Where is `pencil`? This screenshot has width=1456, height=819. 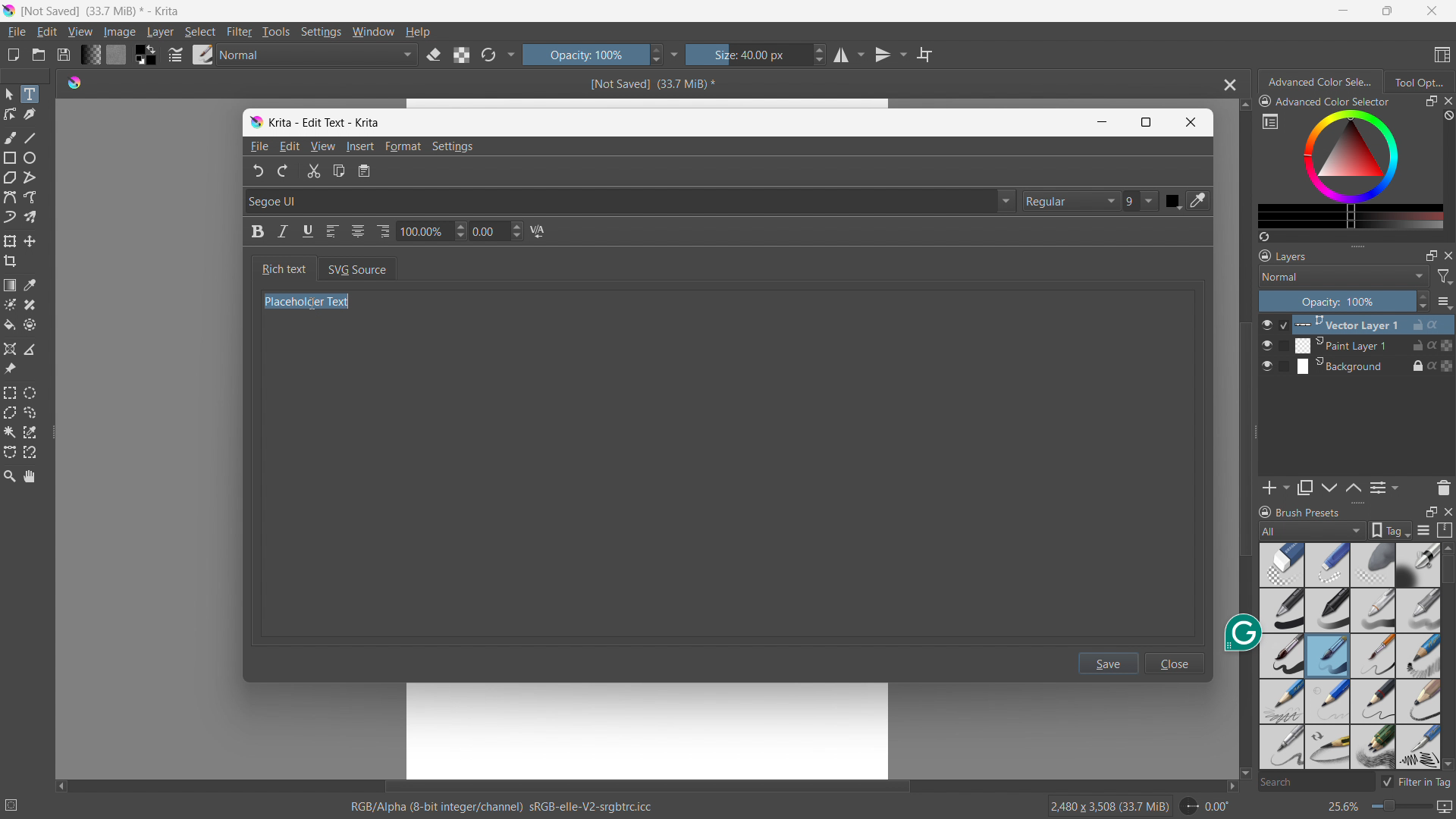
pencil is located at coordinates (1281, 701).